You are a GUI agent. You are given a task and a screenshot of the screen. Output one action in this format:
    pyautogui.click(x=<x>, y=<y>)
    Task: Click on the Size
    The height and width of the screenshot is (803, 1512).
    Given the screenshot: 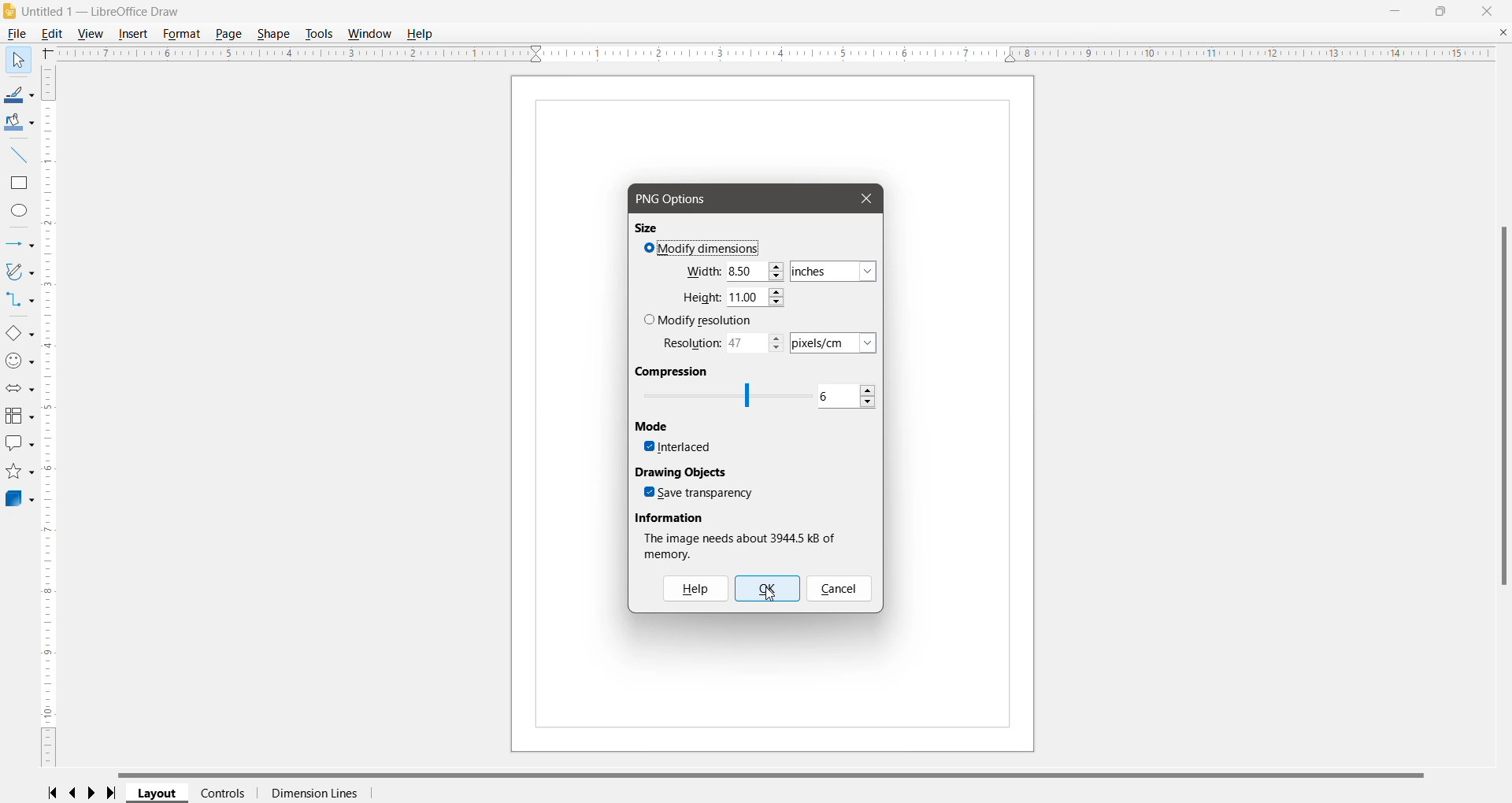 What is the action you would take?
    pyautogui.click(x=651, y=228)
    